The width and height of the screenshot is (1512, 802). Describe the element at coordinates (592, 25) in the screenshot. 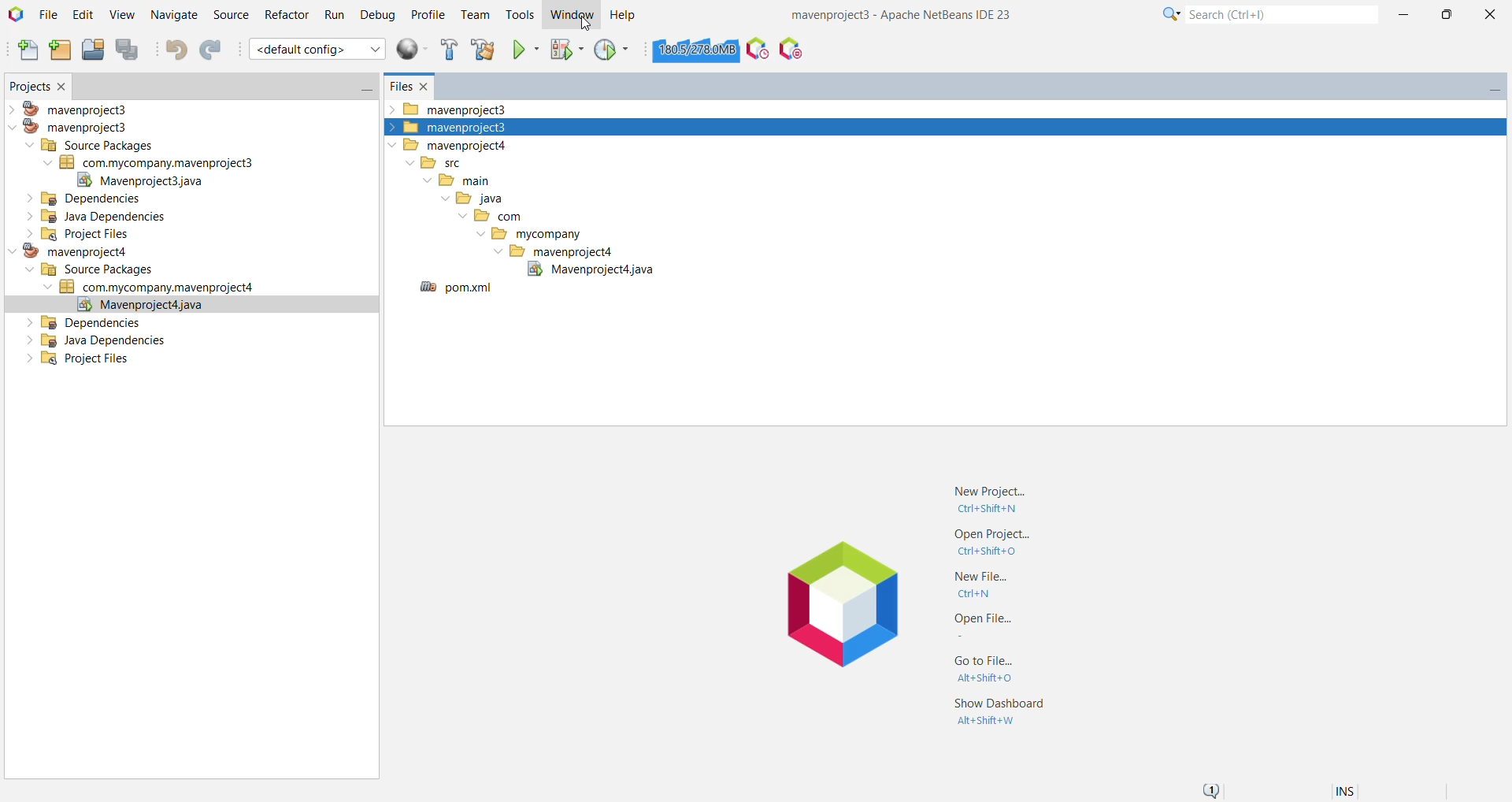

I see `Cursor` at that location.